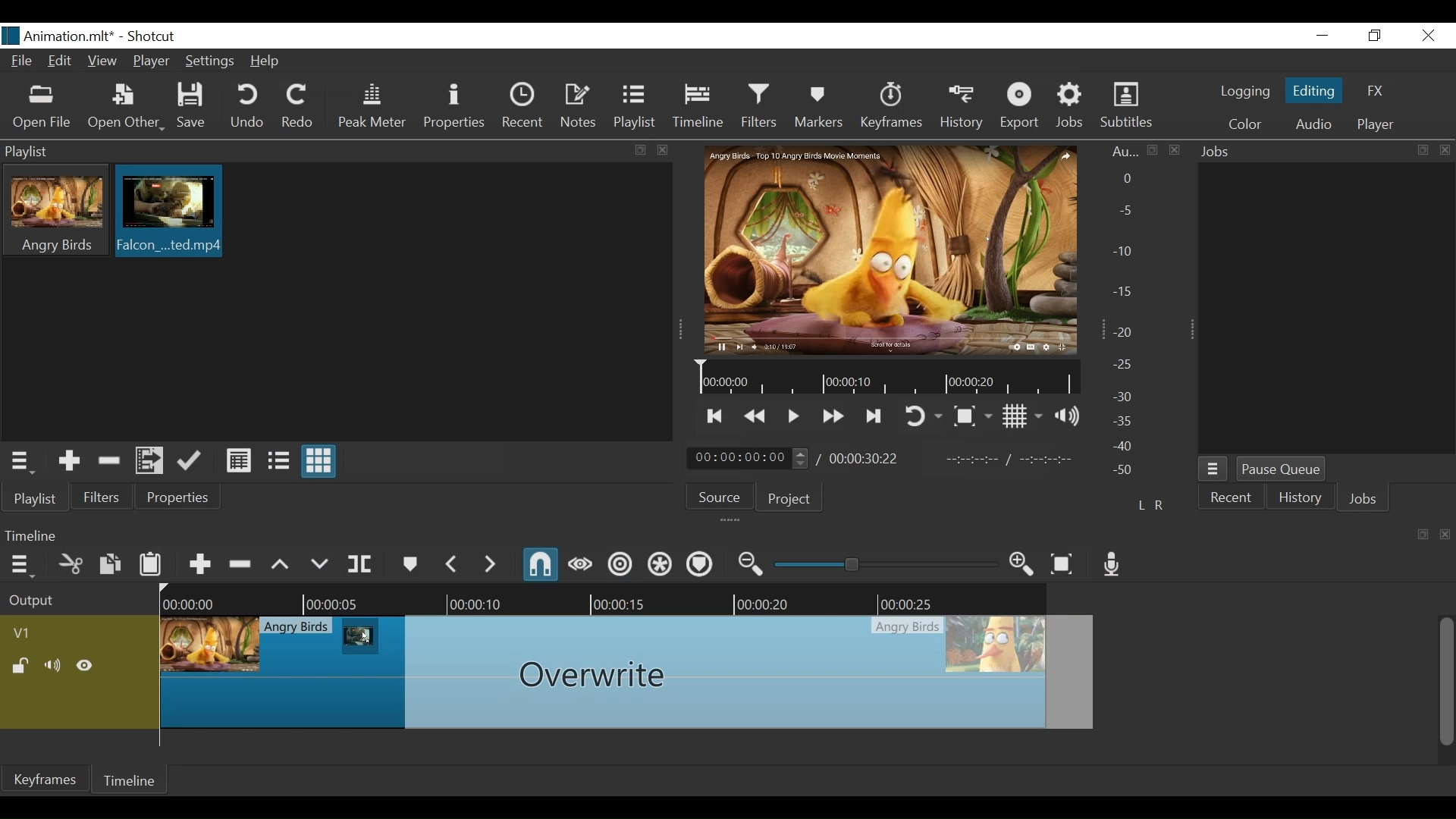 This screenshot has height=819, width=1456. I want to click on Audio, so click(1312, 124).